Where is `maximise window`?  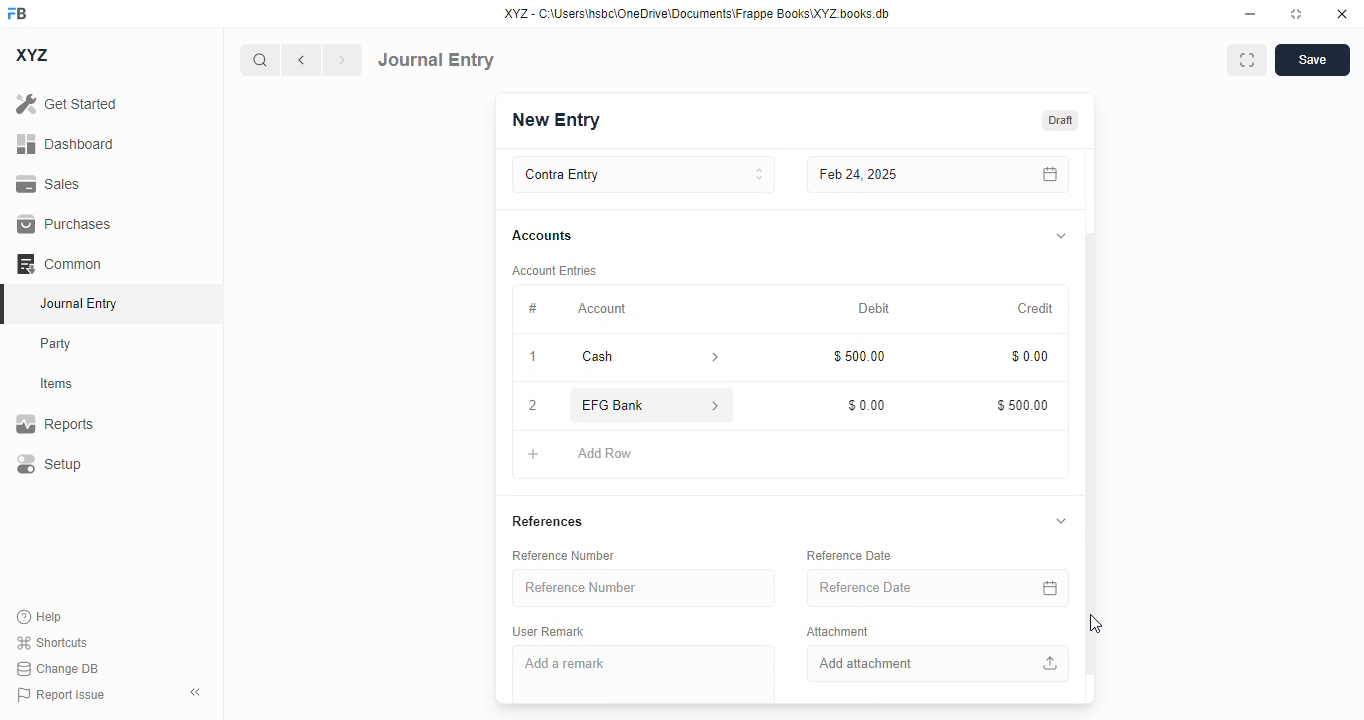
maximise window is located at coordinates (1247, 60).